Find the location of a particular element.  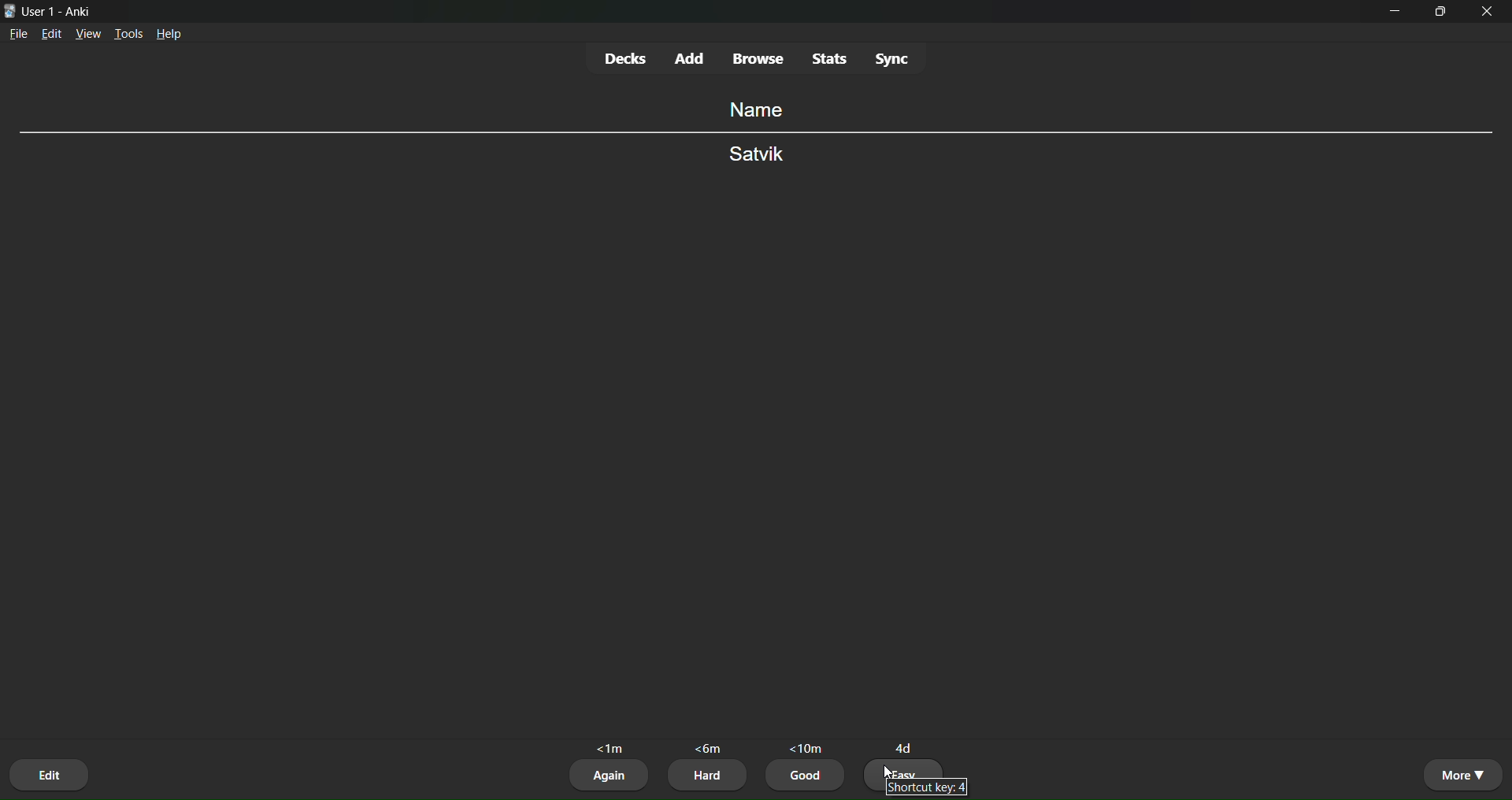

minimize is located at coordinates (1397, 17).